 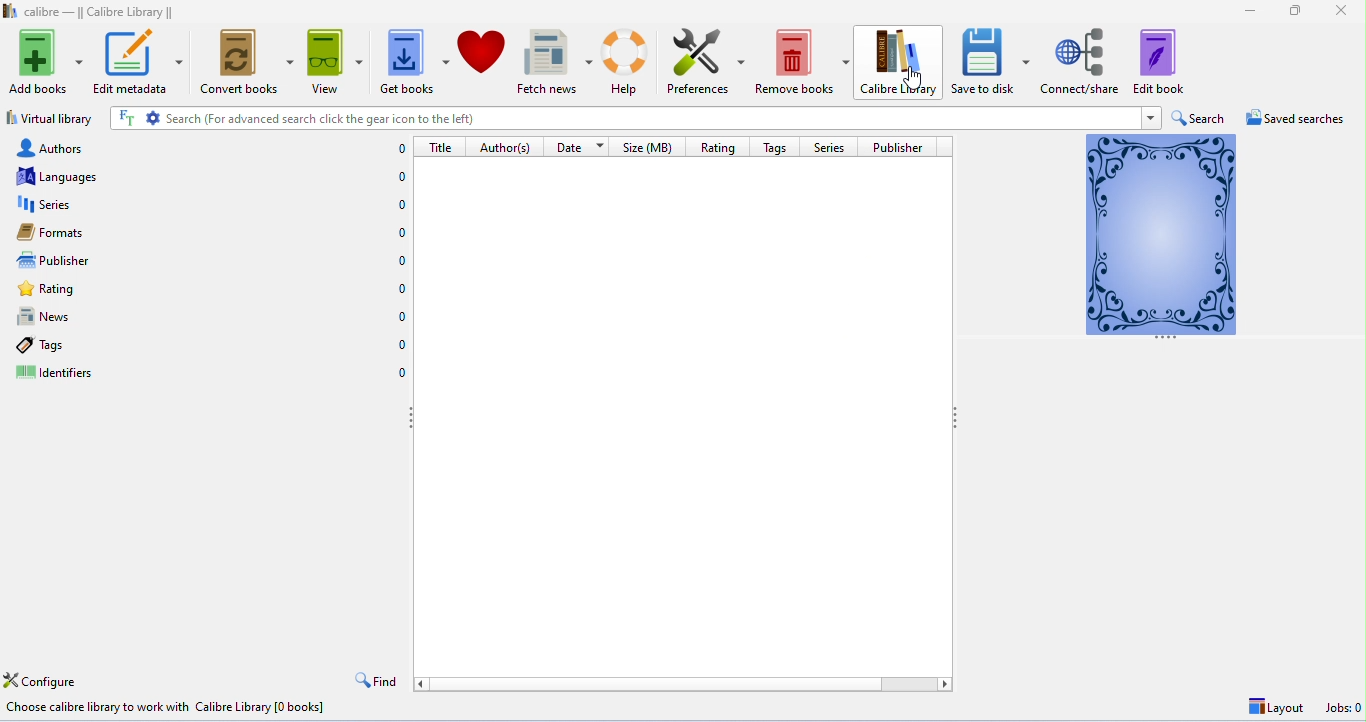 What do you see at coordinates (46, 62) in the screenshot?
I see `add books` at bounding box center [46, 62].